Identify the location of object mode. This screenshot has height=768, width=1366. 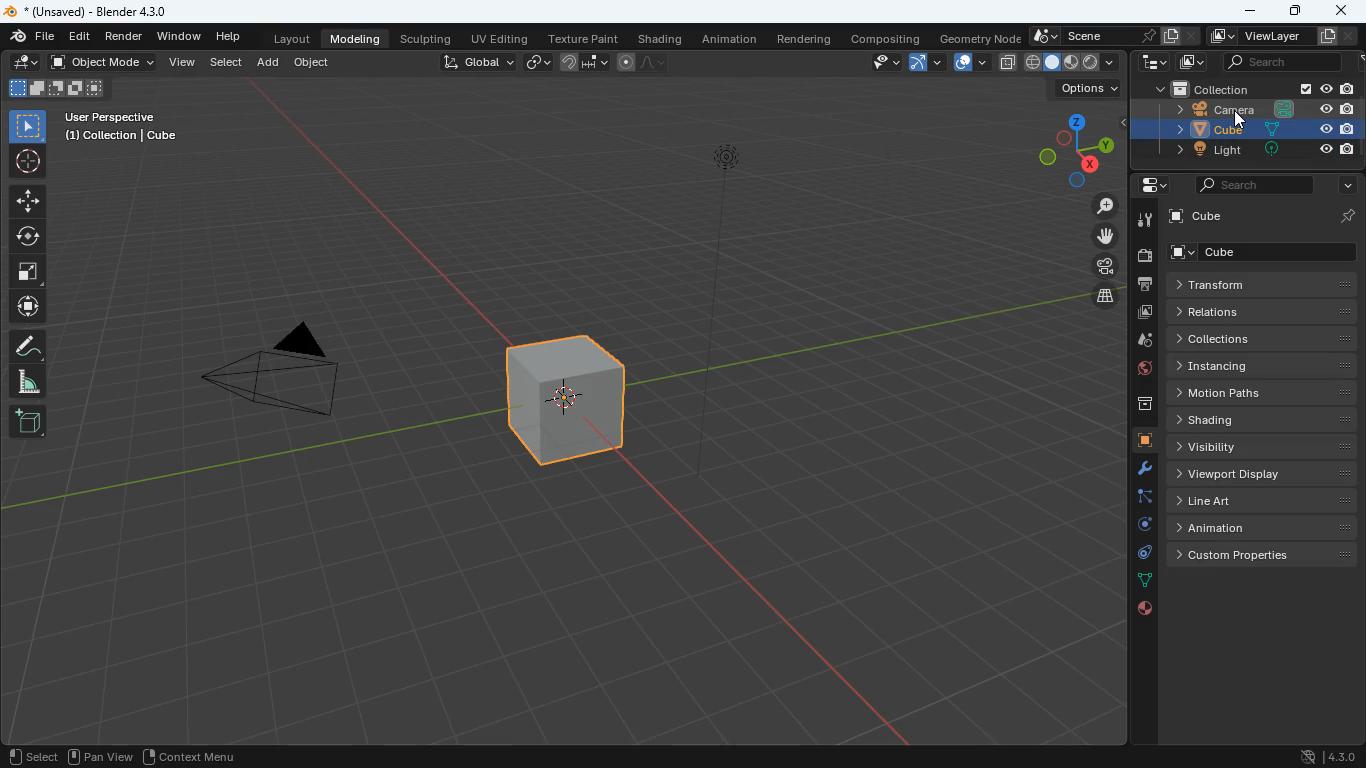
(103, 63).